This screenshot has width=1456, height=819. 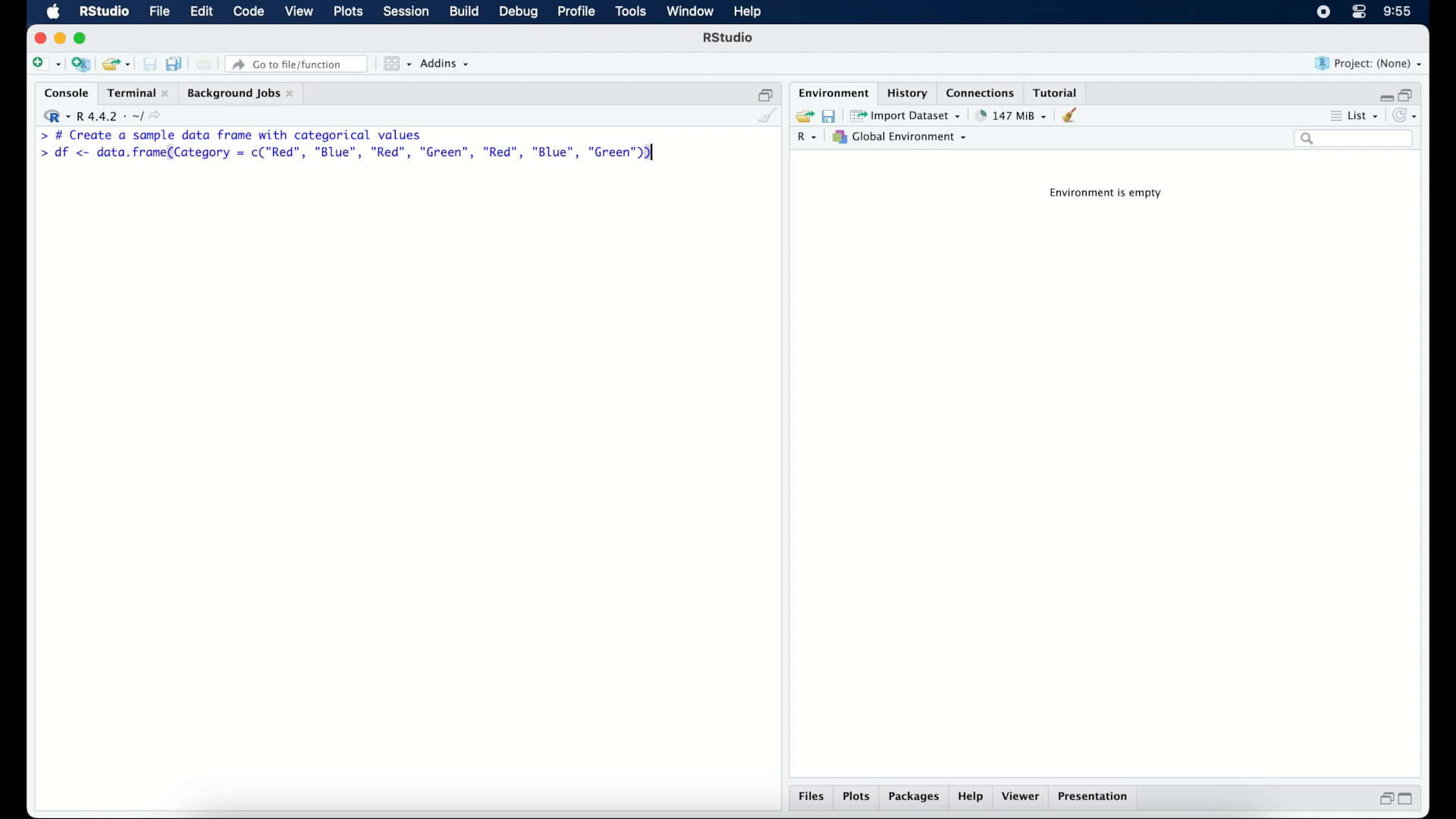 I want to click on R 4.4.2, so click(x=102, y=114).